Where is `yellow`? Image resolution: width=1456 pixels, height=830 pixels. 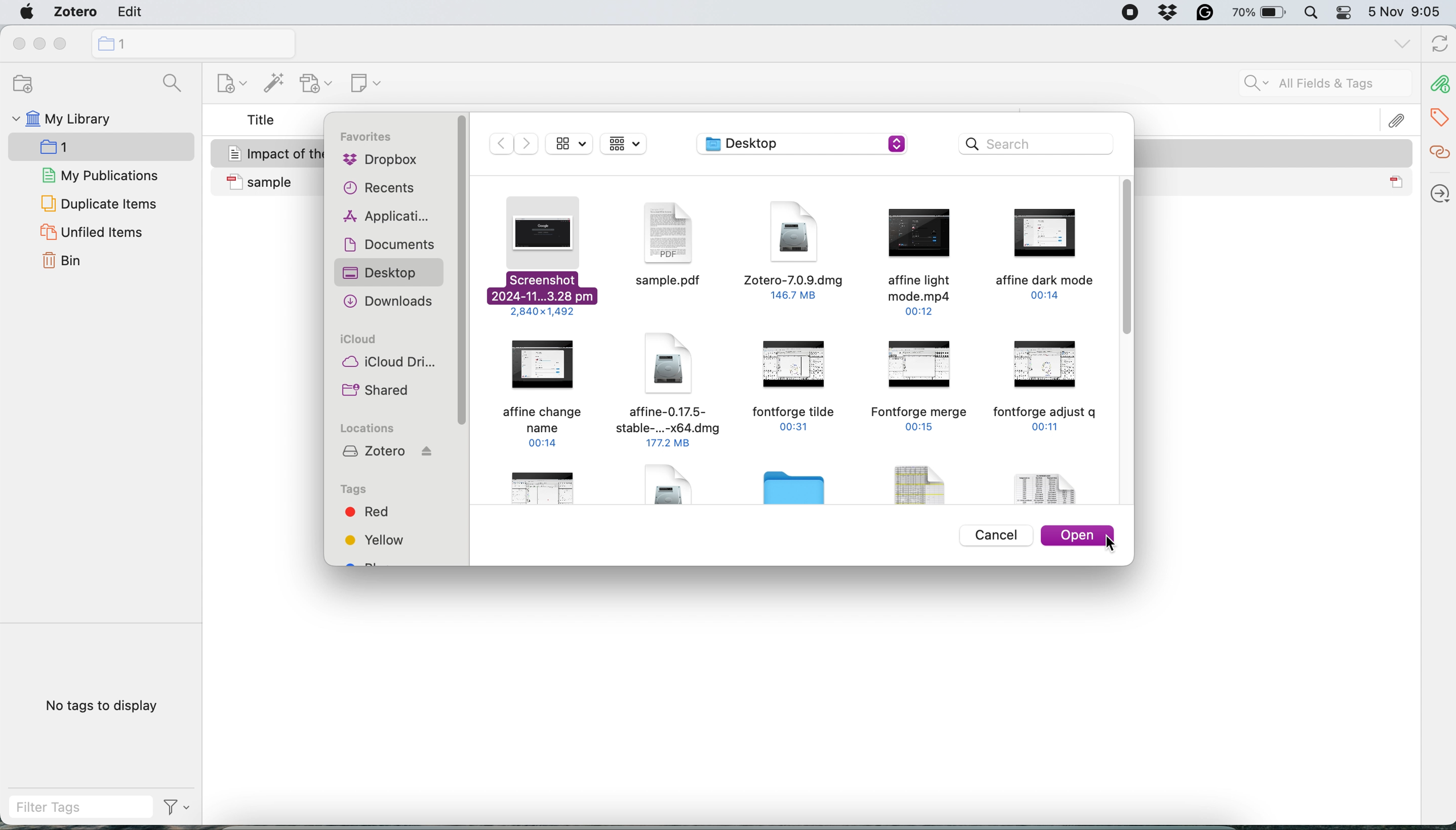 yellow is located at coordinates (377, 539).